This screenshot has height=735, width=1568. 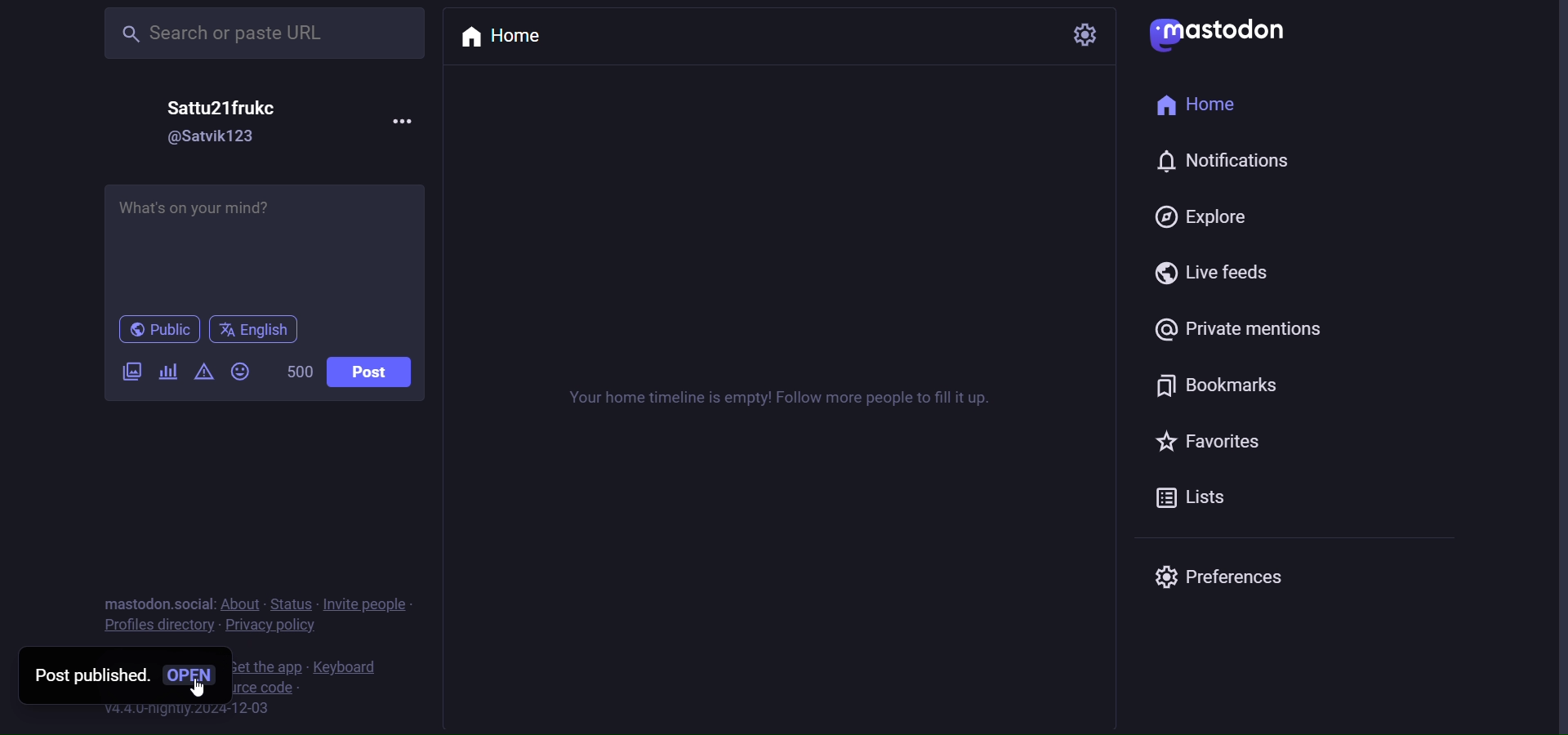 I want to click on private mention, so click(x=1234, y=327).